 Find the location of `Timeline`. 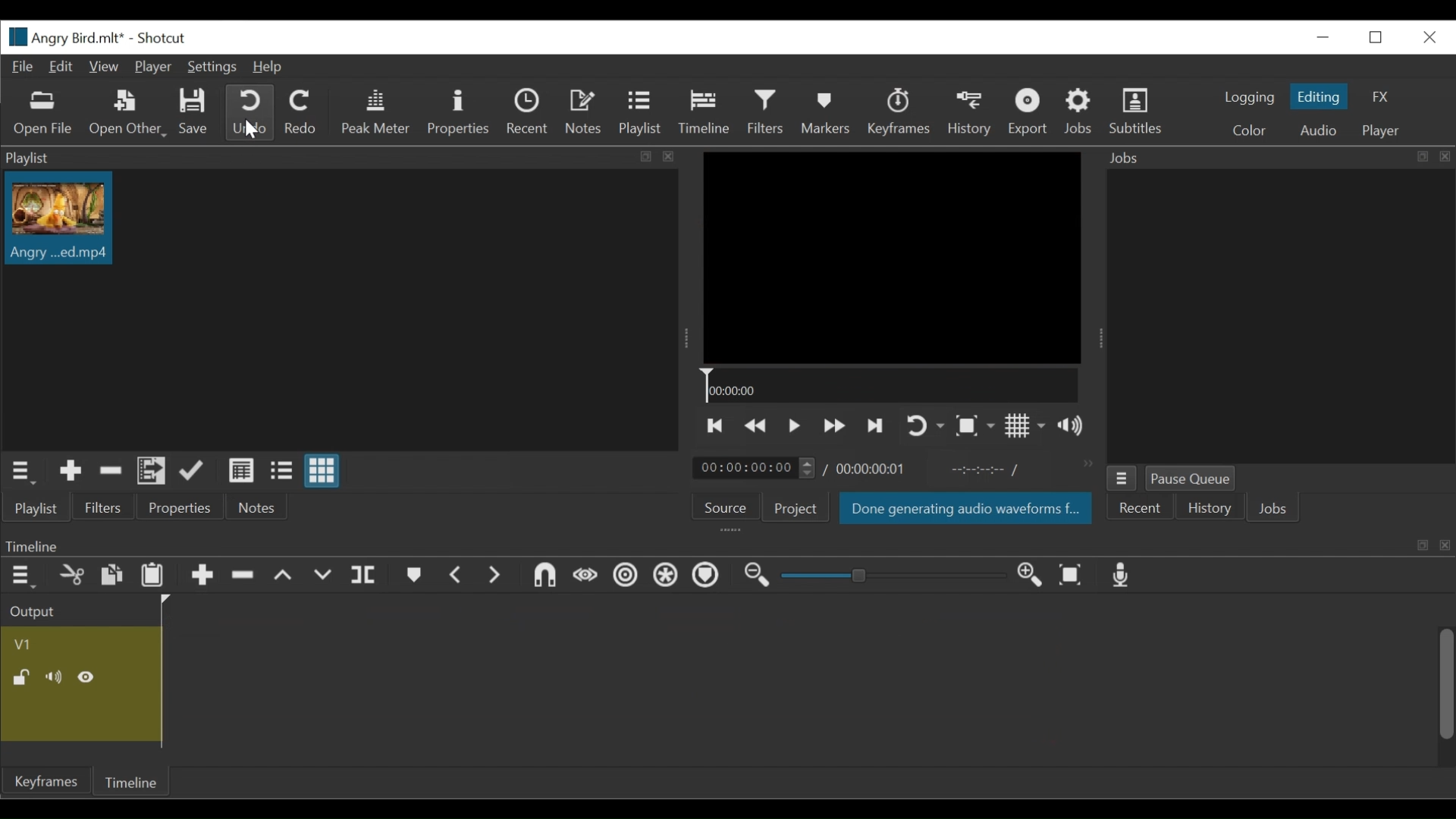

Timeline is located at coordinates (128, 781).